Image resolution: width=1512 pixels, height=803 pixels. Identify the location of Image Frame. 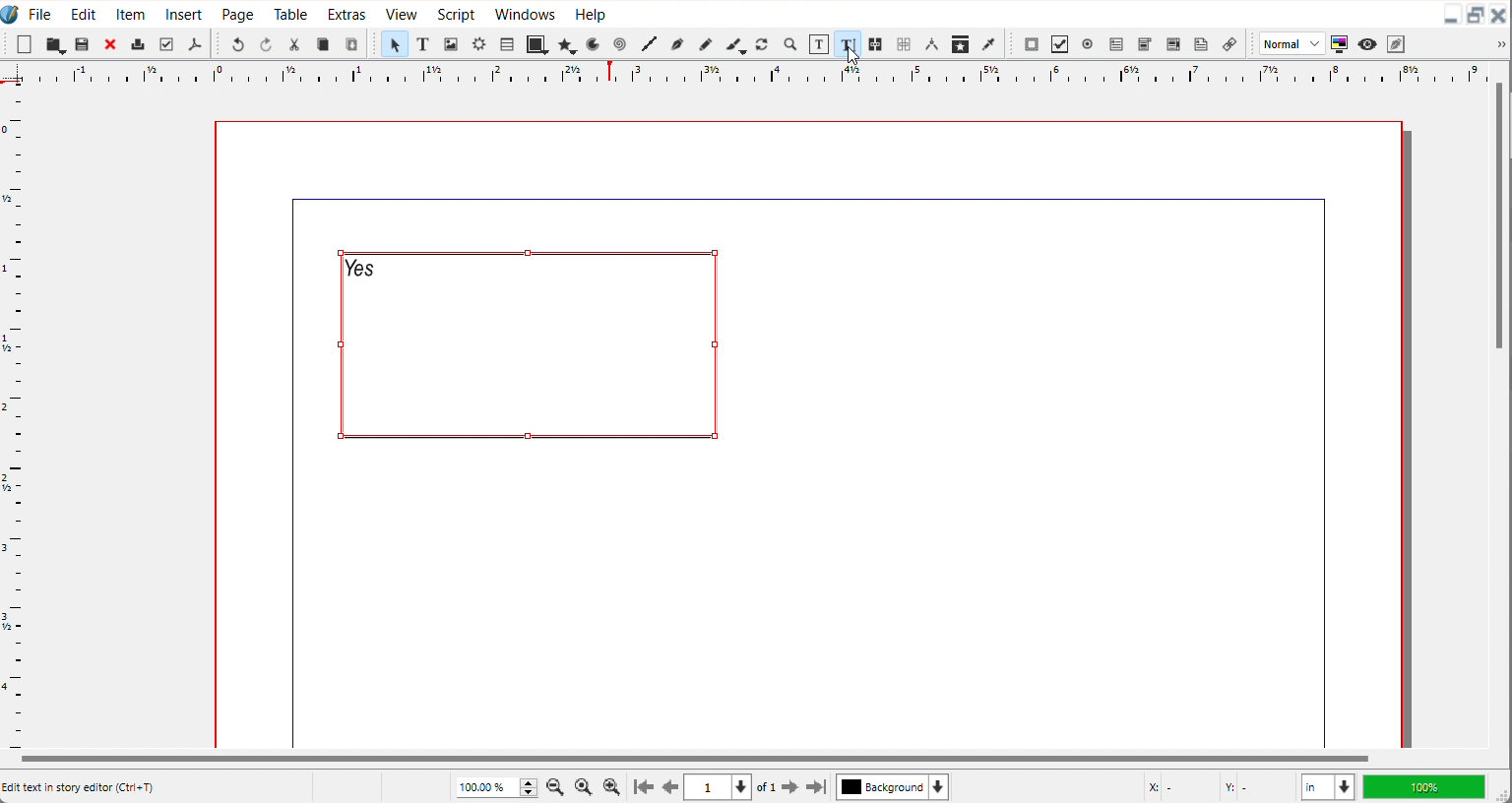
(451, 43).